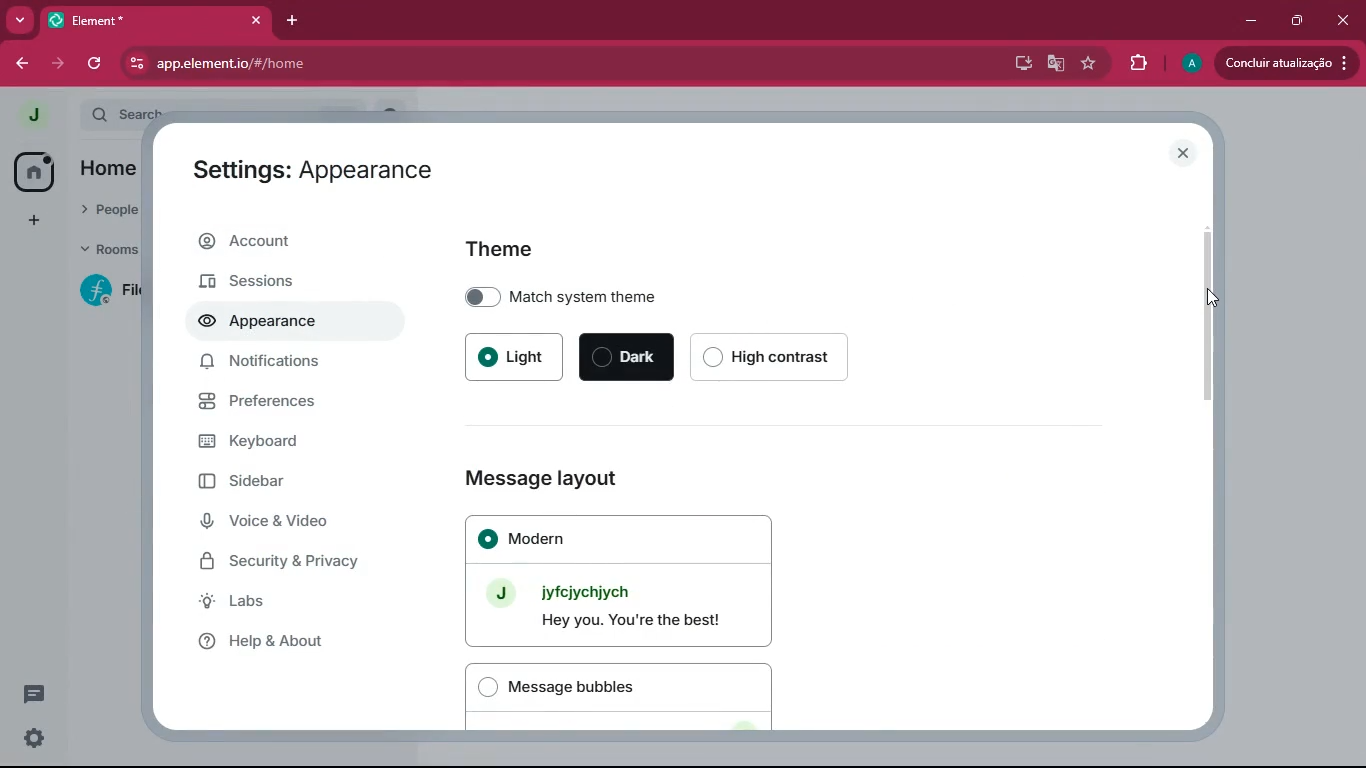  Describe the element at coordinates (593, 295) in the screenshot. I see `match` at that location.